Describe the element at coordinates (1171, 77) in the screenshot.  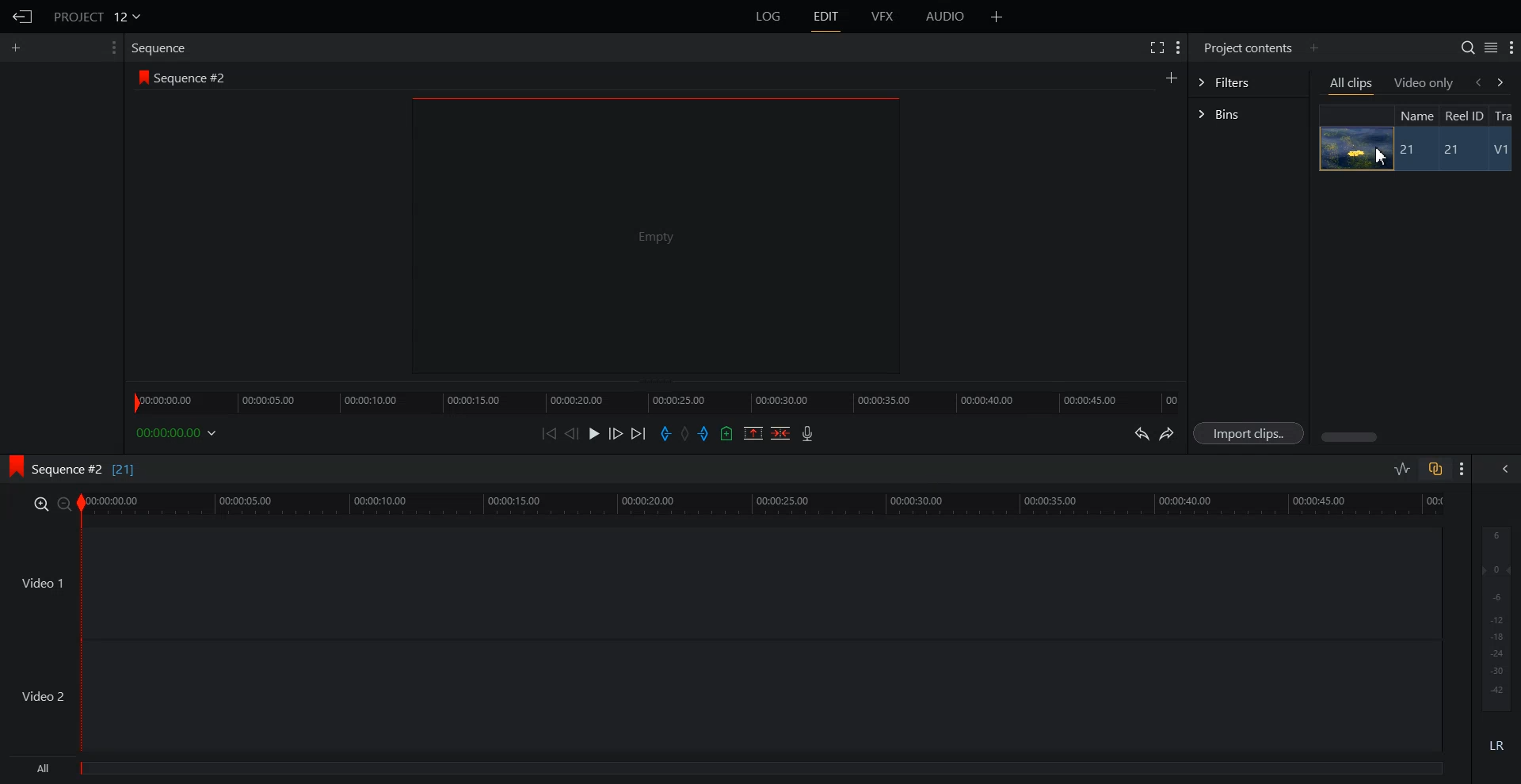
I see `Add panel` at that location.